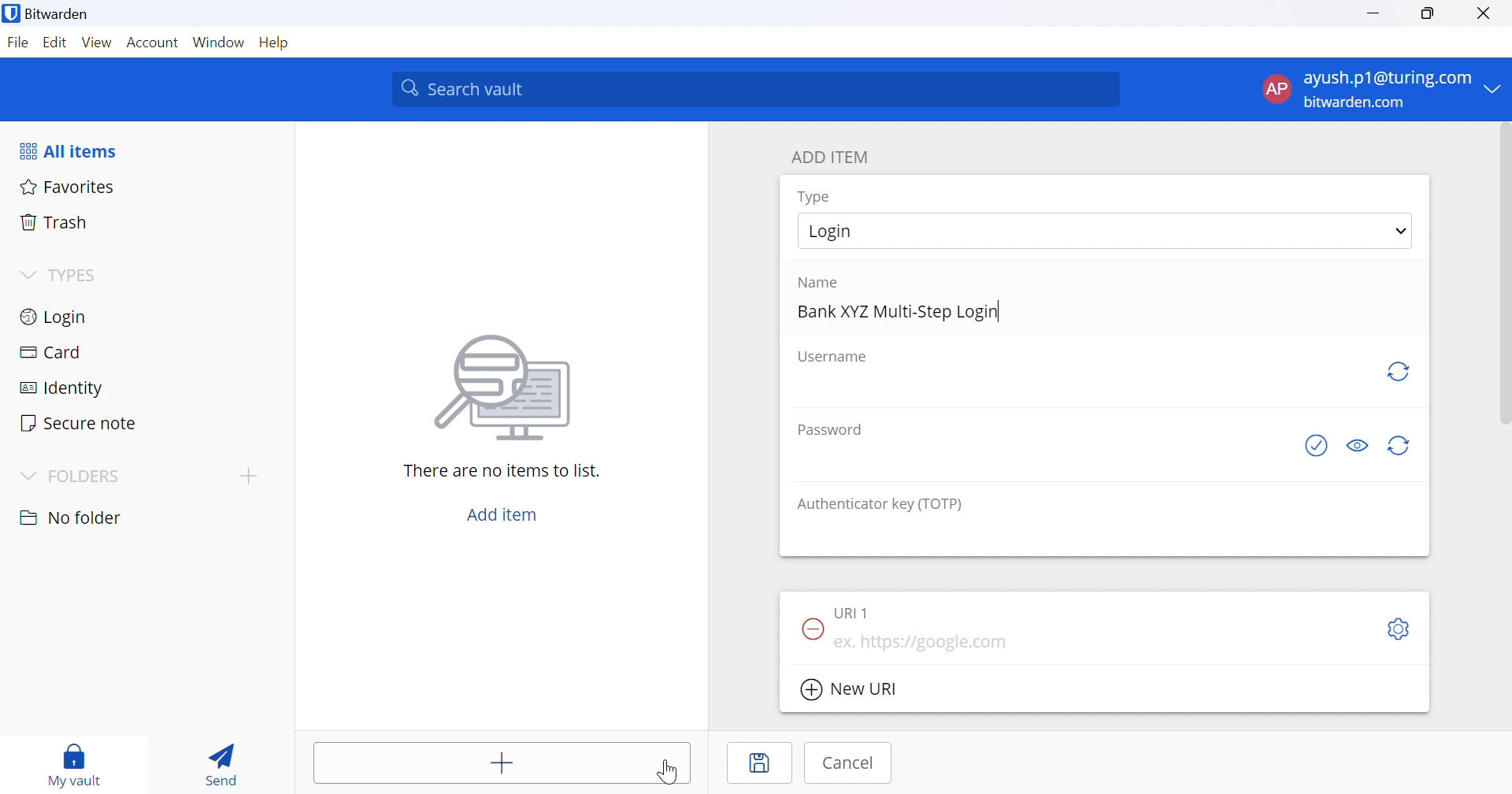  I want to click on Toggle visibility, so click(1357, 446).